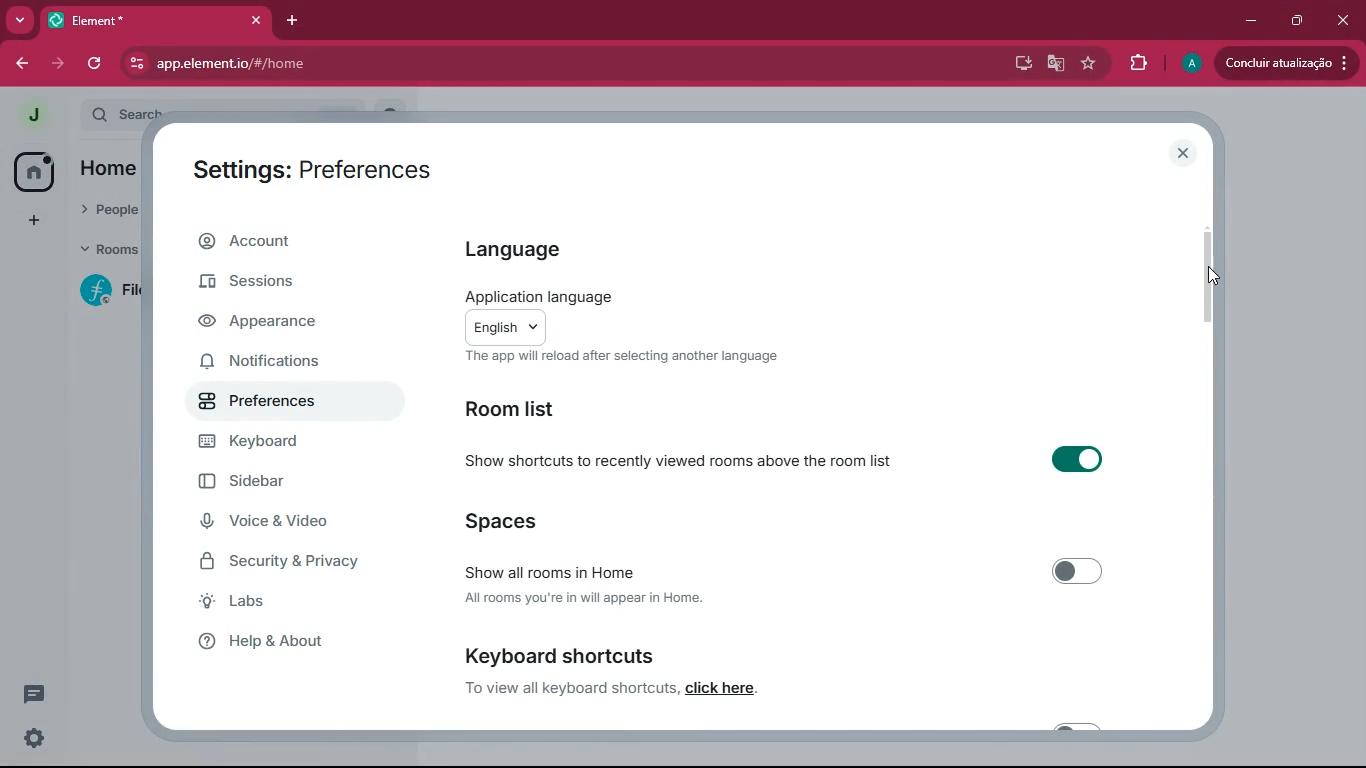 The image size is (1366, 768). Describe the element at coordinates (1187, 63) in the screenshot. I see `profile` at that location.